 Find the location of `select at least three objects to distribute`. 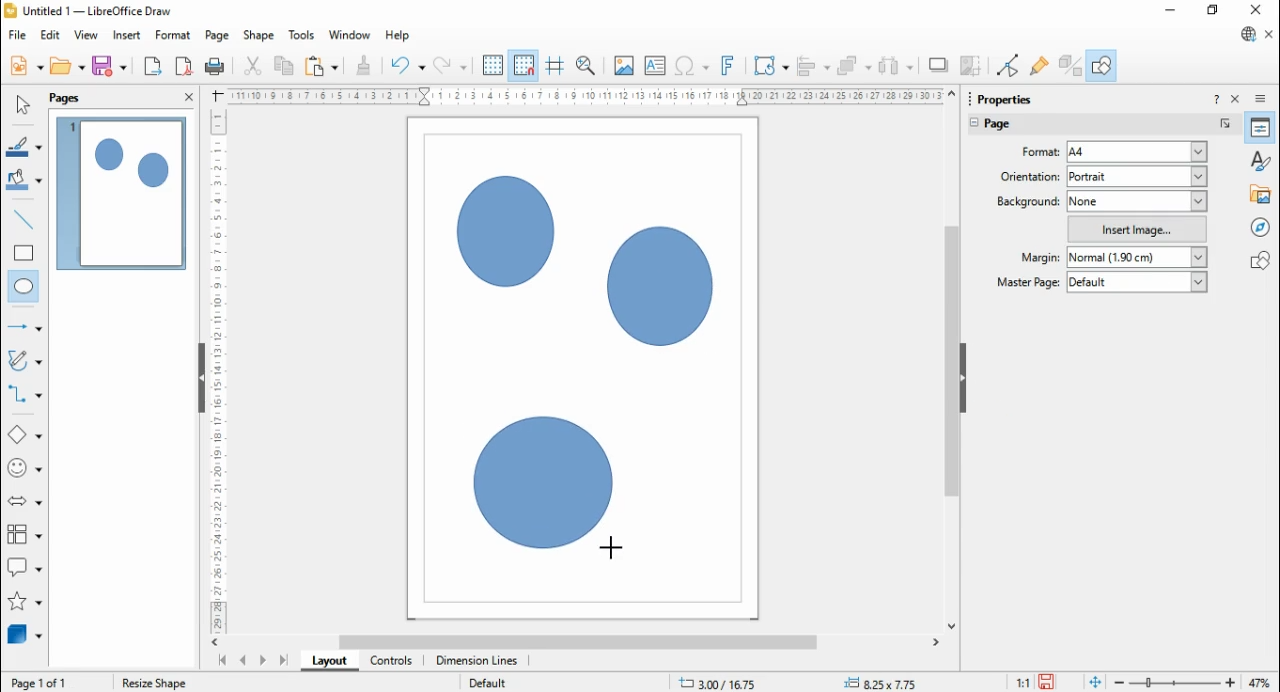

select at least three objects to distribute is located at coordinates (896, 67).